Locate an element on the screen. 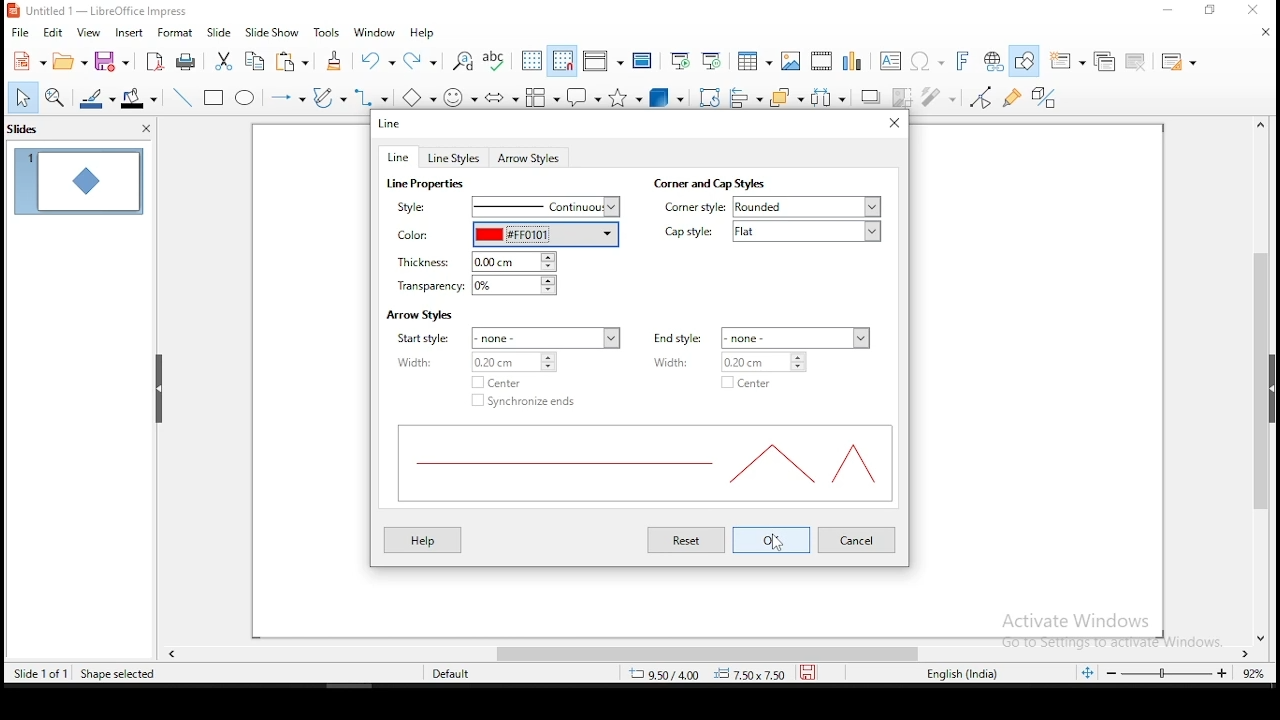 This screenshot has height=720, width=1280. file is located at coordinates (20, 34).